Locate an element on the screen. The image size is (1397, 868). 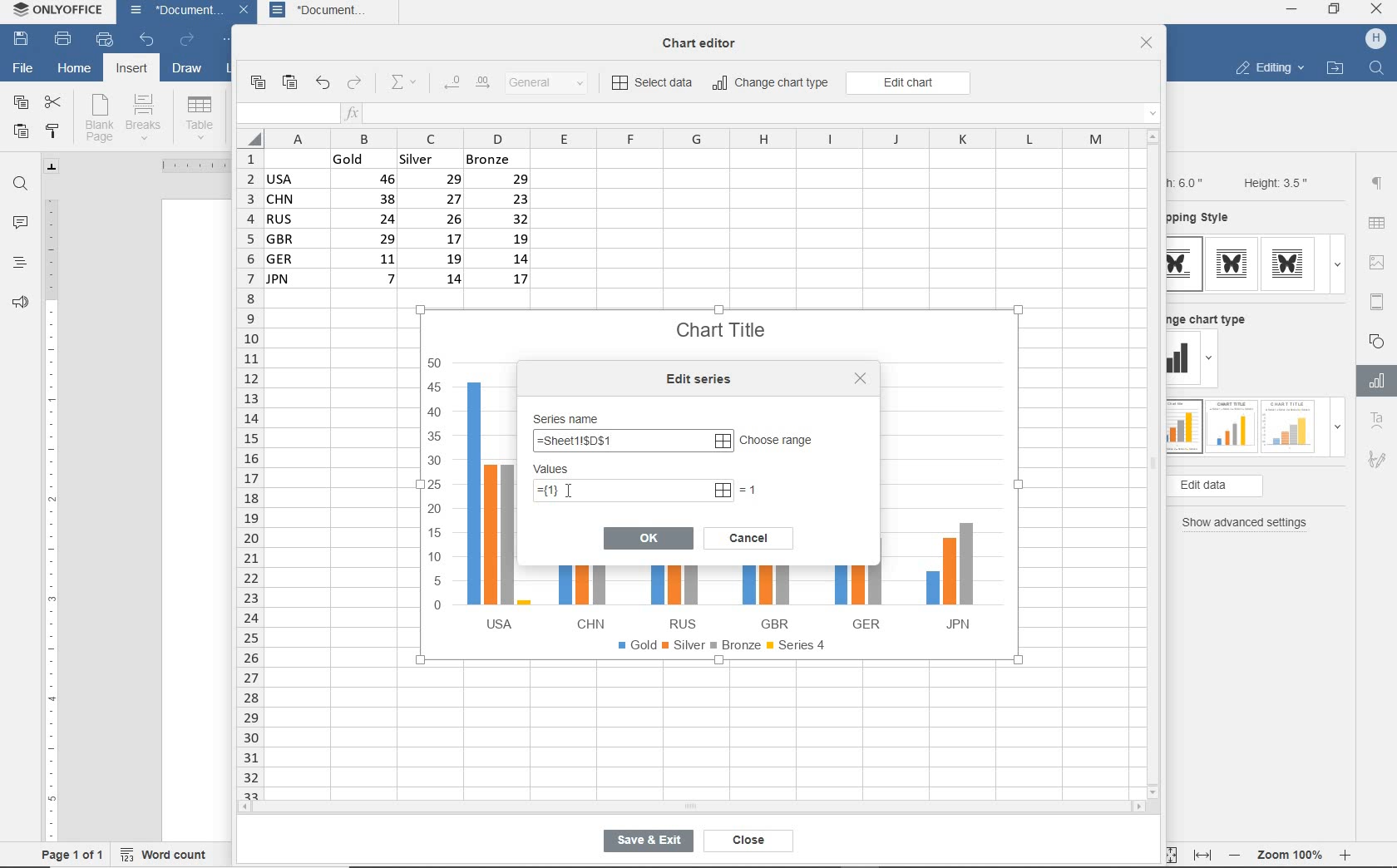
close is located at coordinates (1378, 11).